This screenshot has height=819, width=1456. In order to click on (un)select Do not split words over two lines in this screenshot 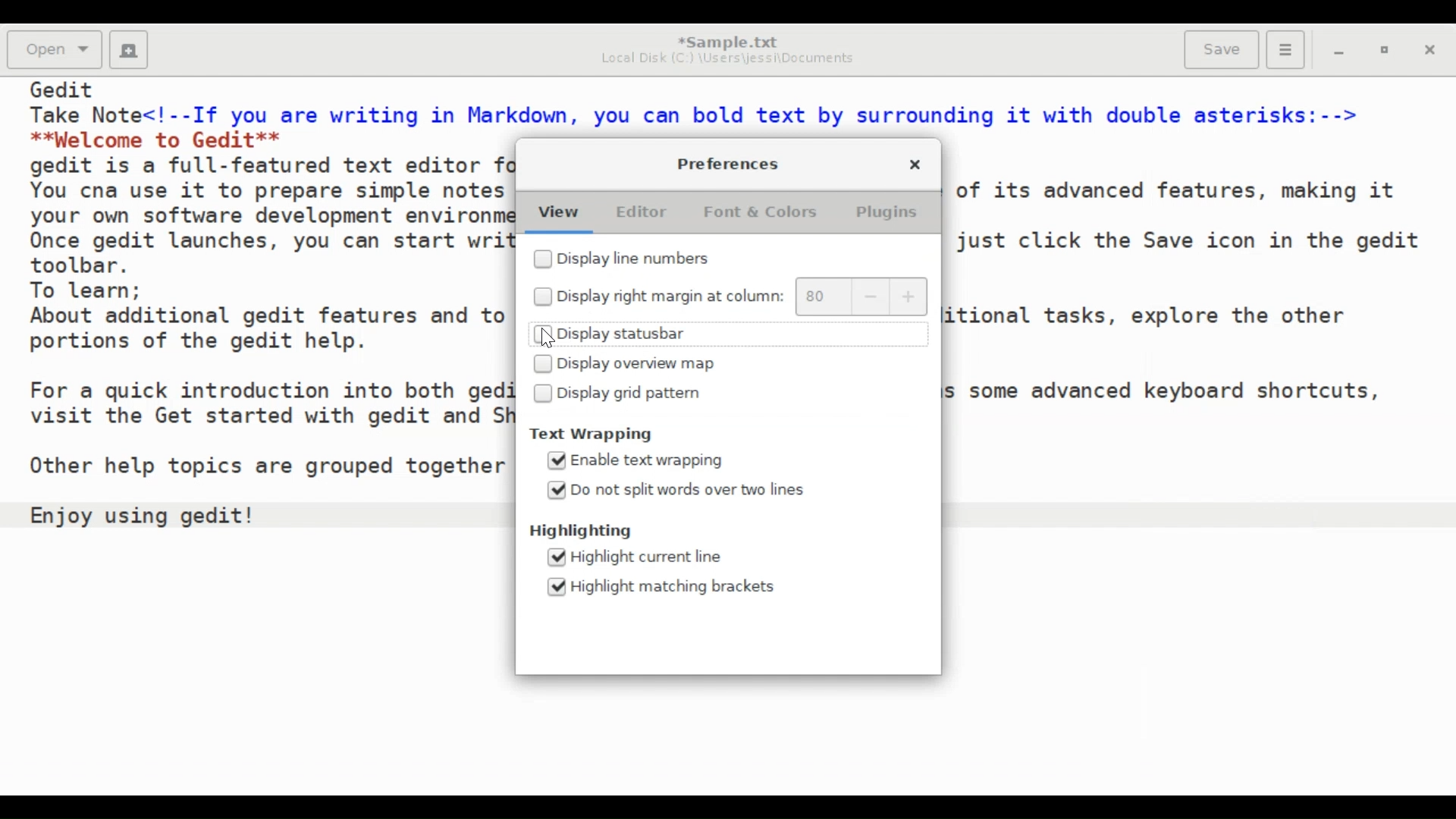, I will do `click(677, 490)`.